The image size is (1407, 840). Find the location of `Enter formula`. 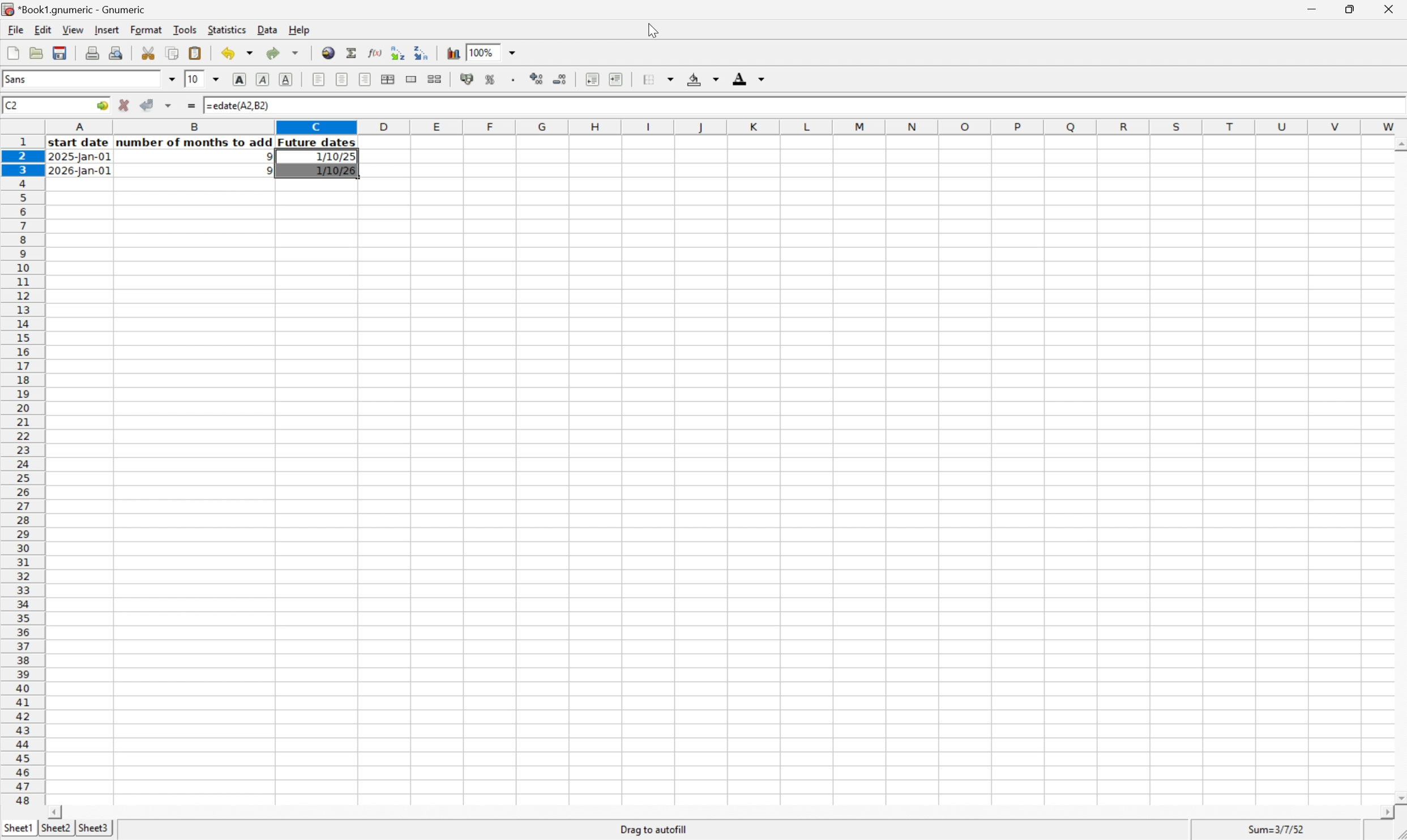

Enter formula is located at coordinates (193, 103).